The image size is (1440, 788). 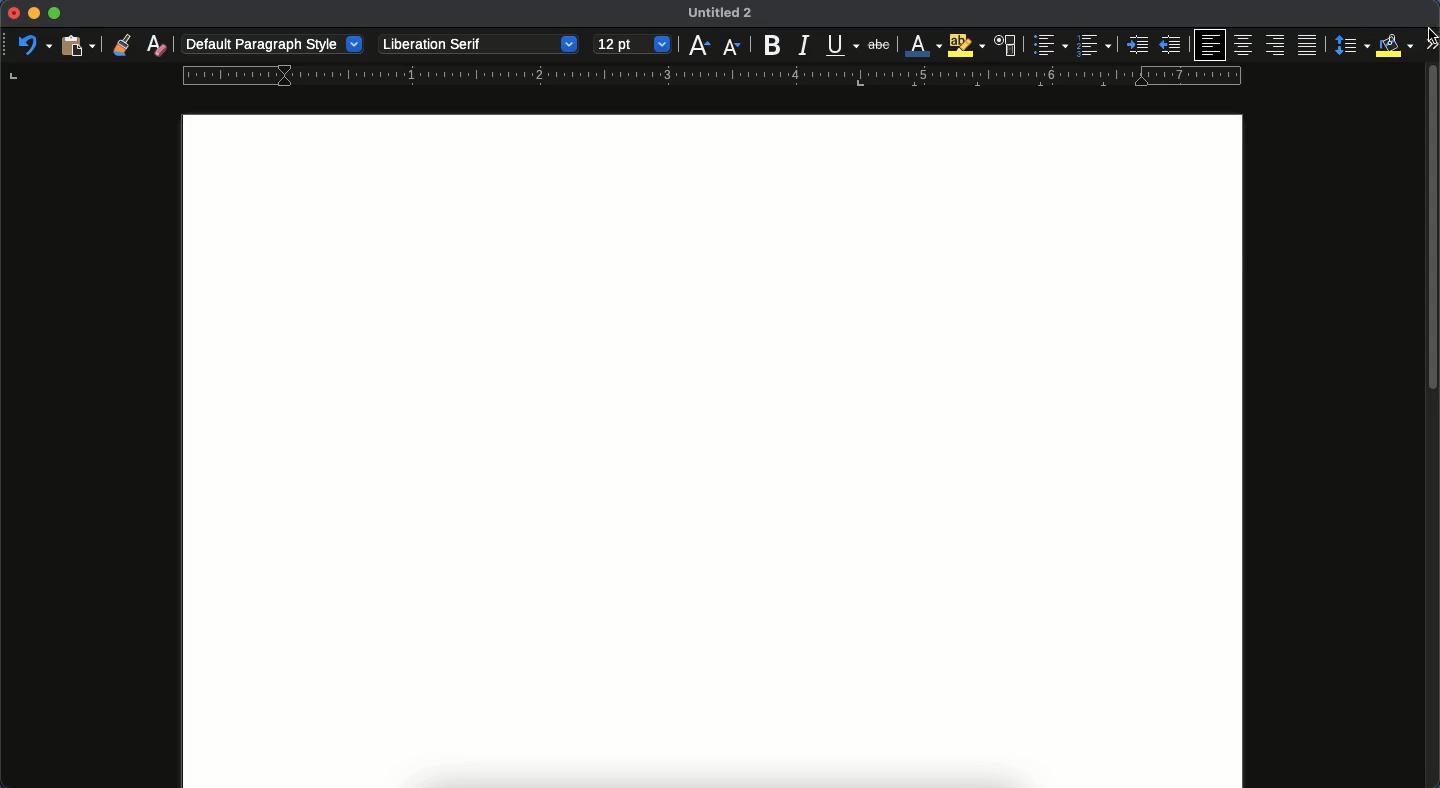 What do you see at coordinates (476, 44) in the screenshot?
I see `Liberation serif - font style` at bounding box center [476, 44].